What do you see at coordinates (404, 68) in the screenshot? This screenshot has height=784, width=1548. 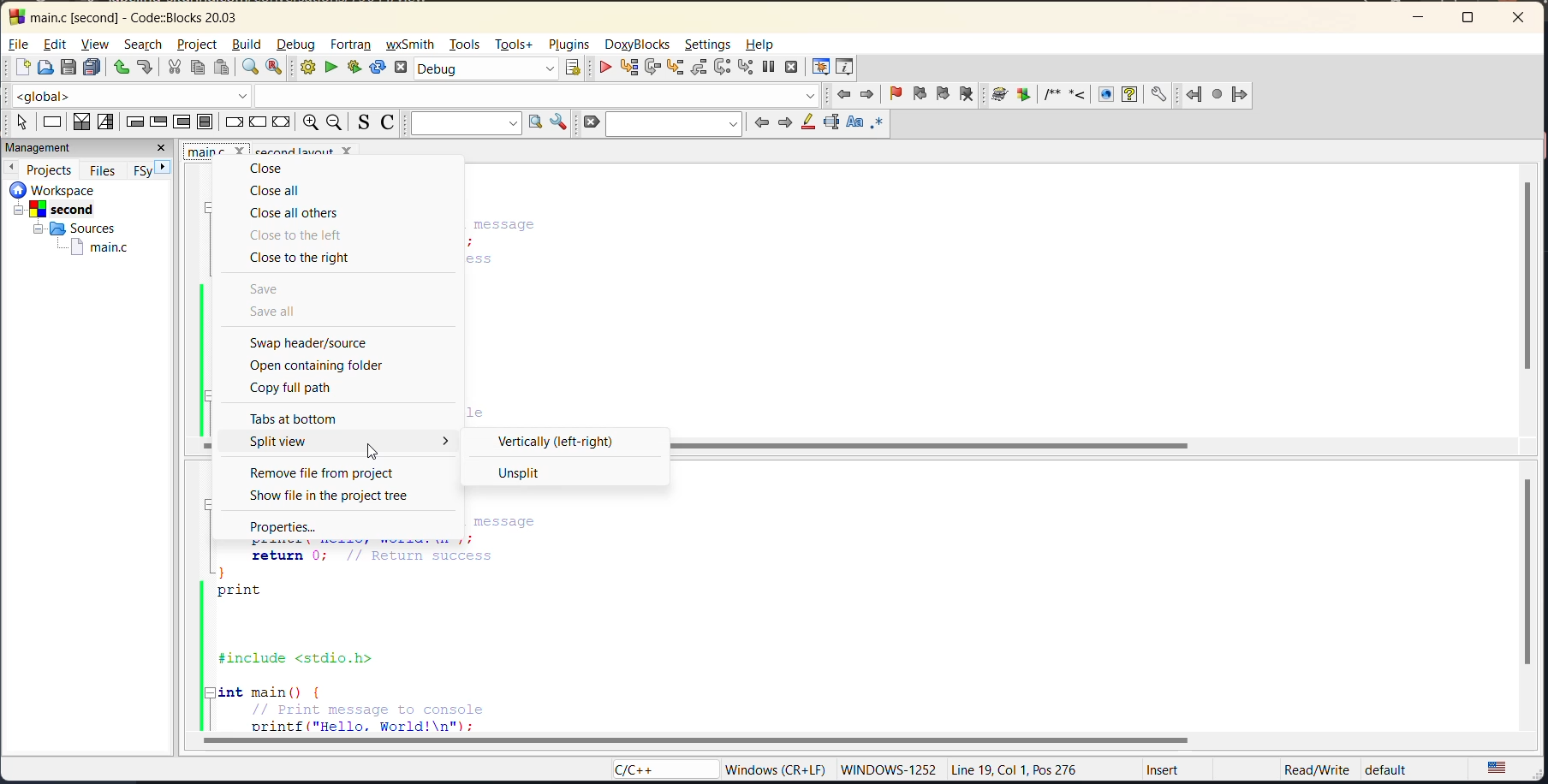 I see `abort` at bounding box center [404, 68].